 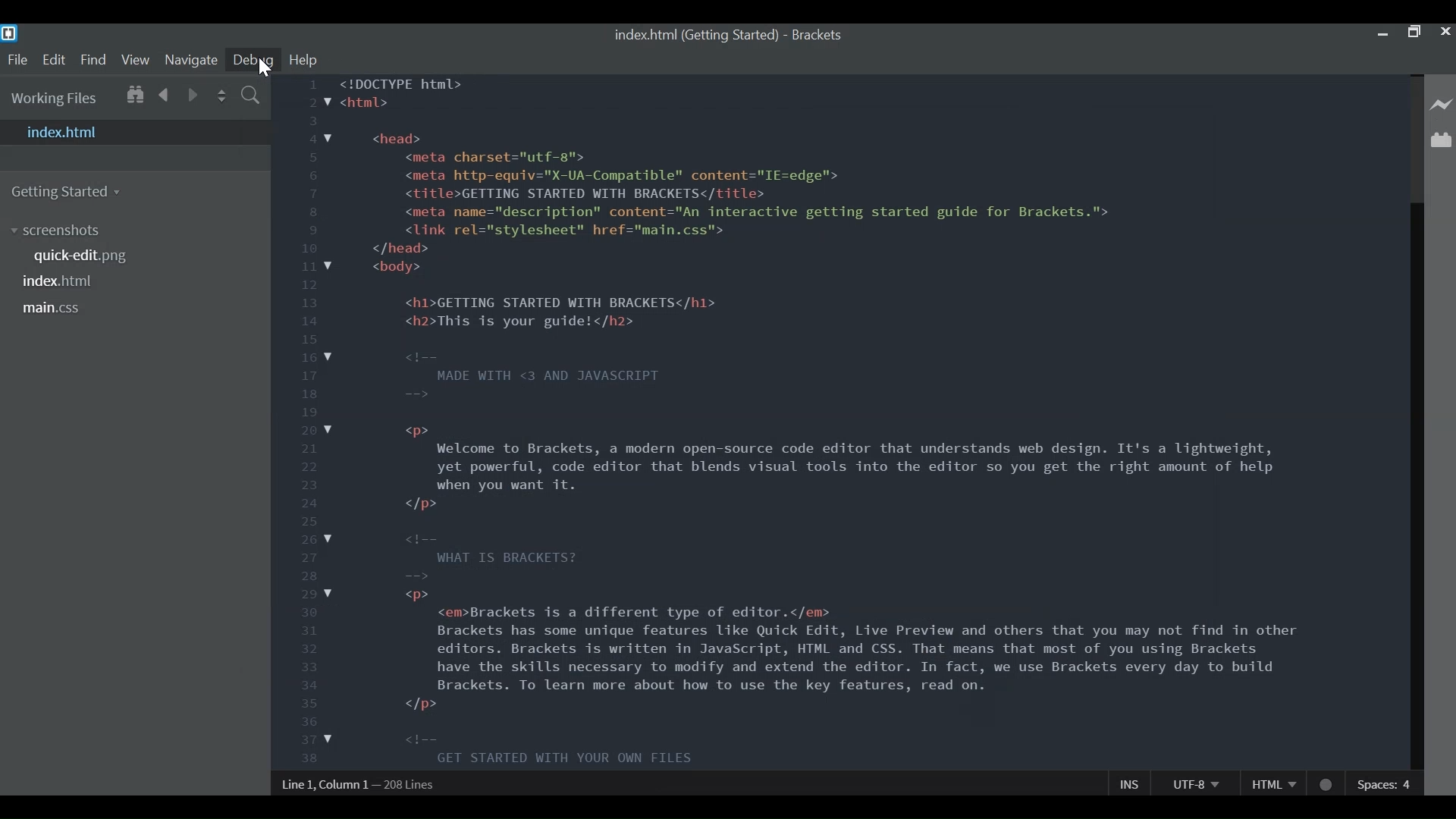 What do you see at coordinates (262, 67) in the screenshot?
I see `Cursor` at bounding box center [262, 67].